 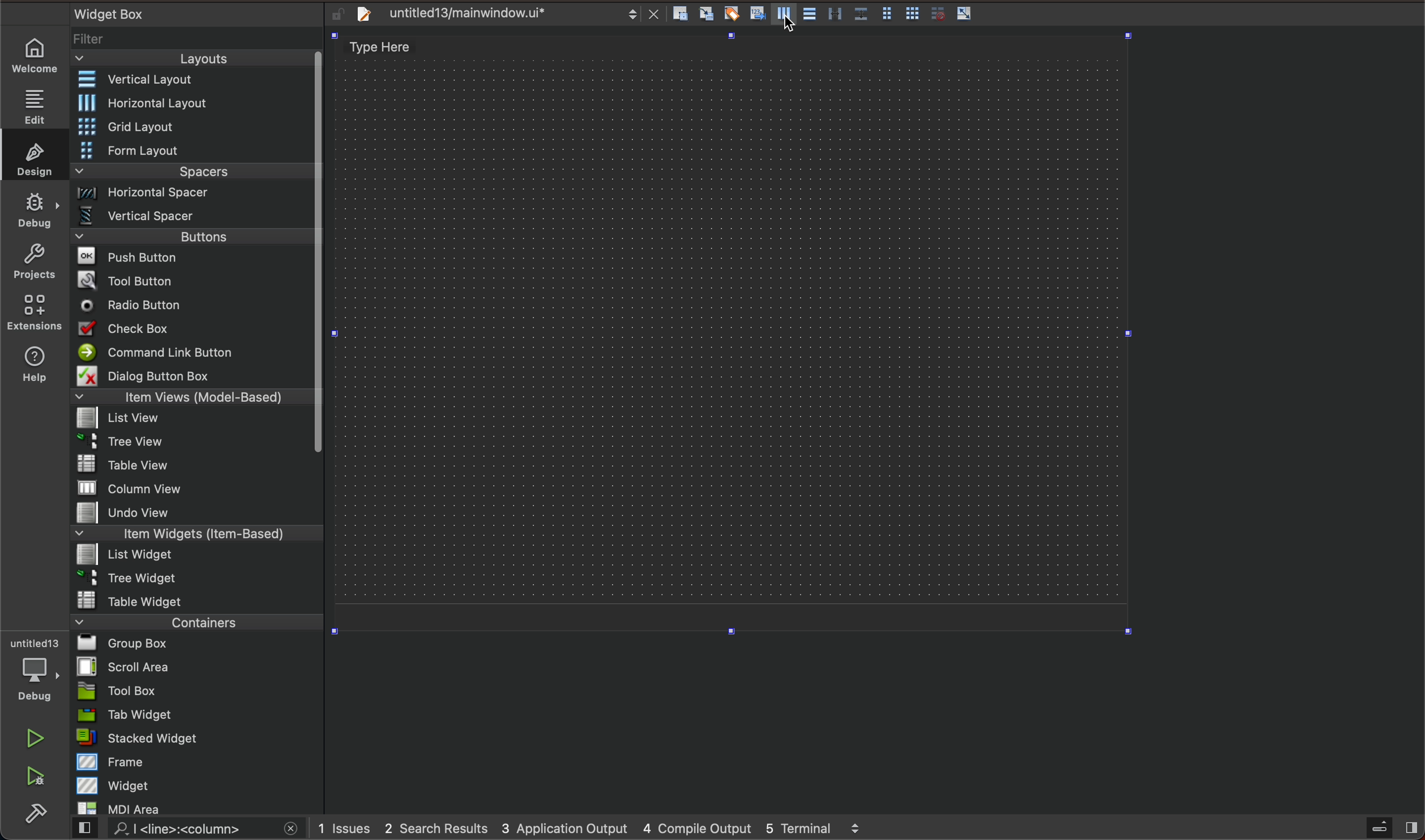 I want to click on text, so click(x=384, y=45).